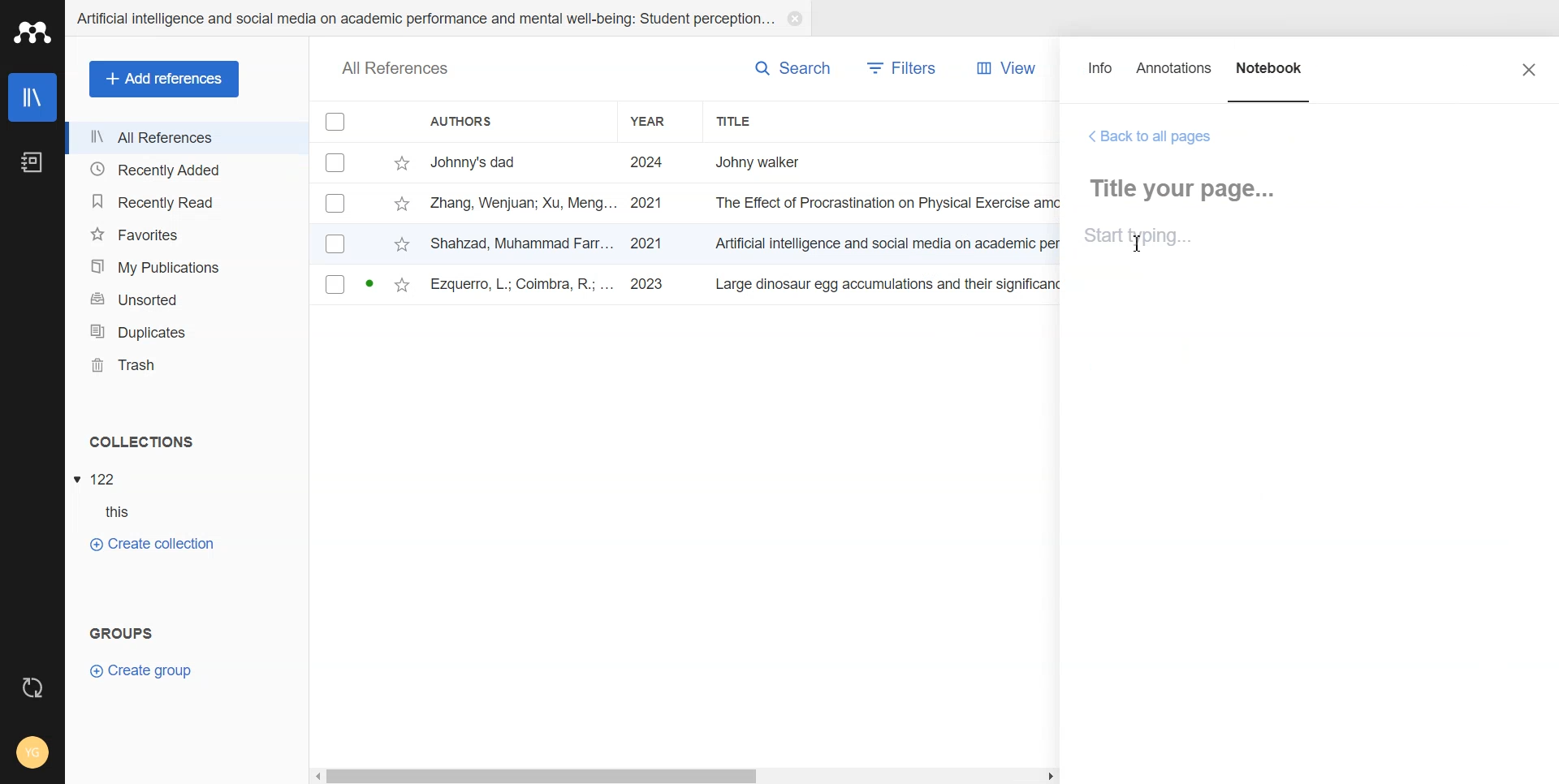  What do you see at coordinates (141, 670) in the screenshot?
I see `Crate Group` at bounding box center [141, 670].